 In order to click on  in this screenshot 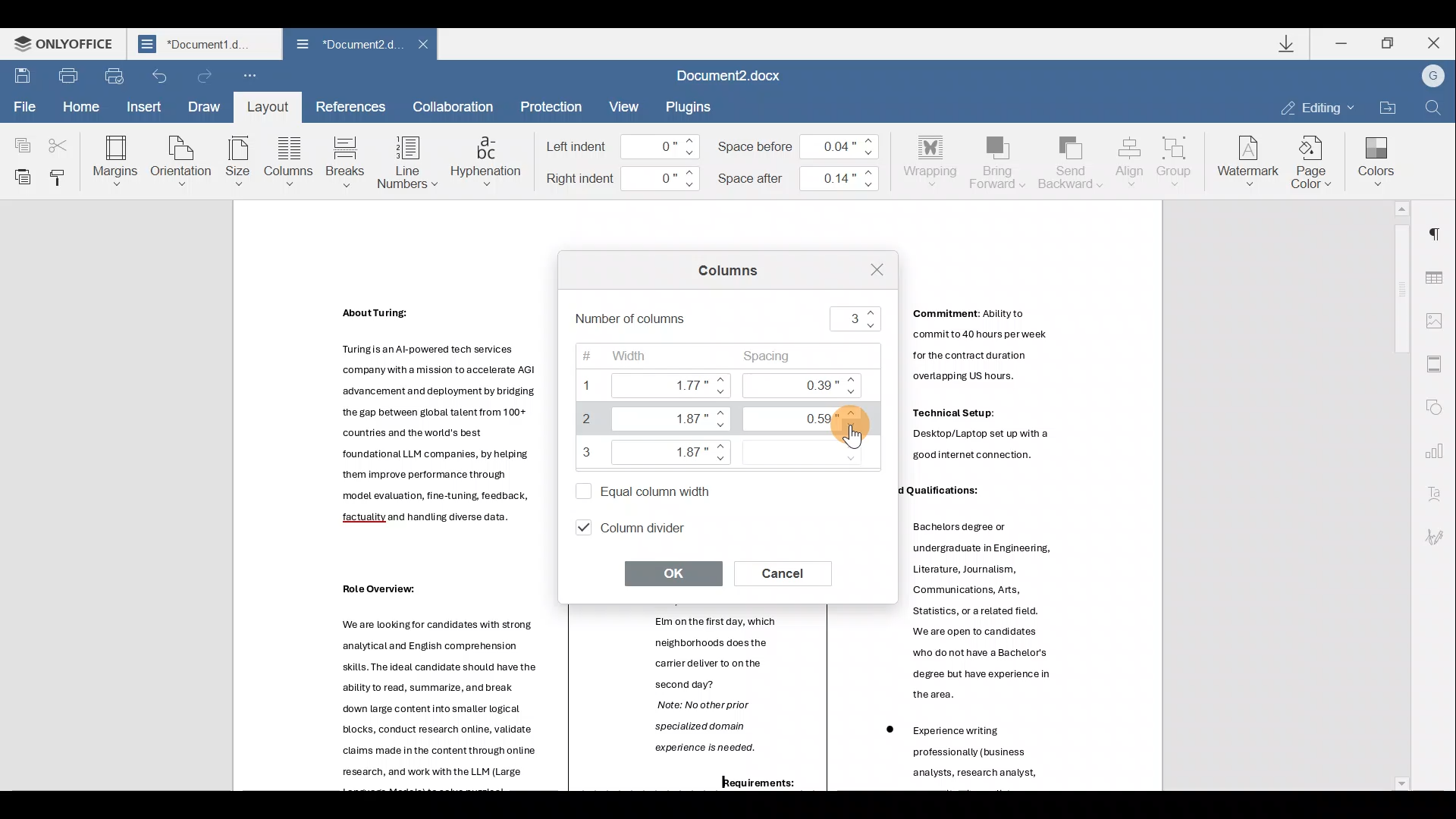, I will do `click(370, 312)`.